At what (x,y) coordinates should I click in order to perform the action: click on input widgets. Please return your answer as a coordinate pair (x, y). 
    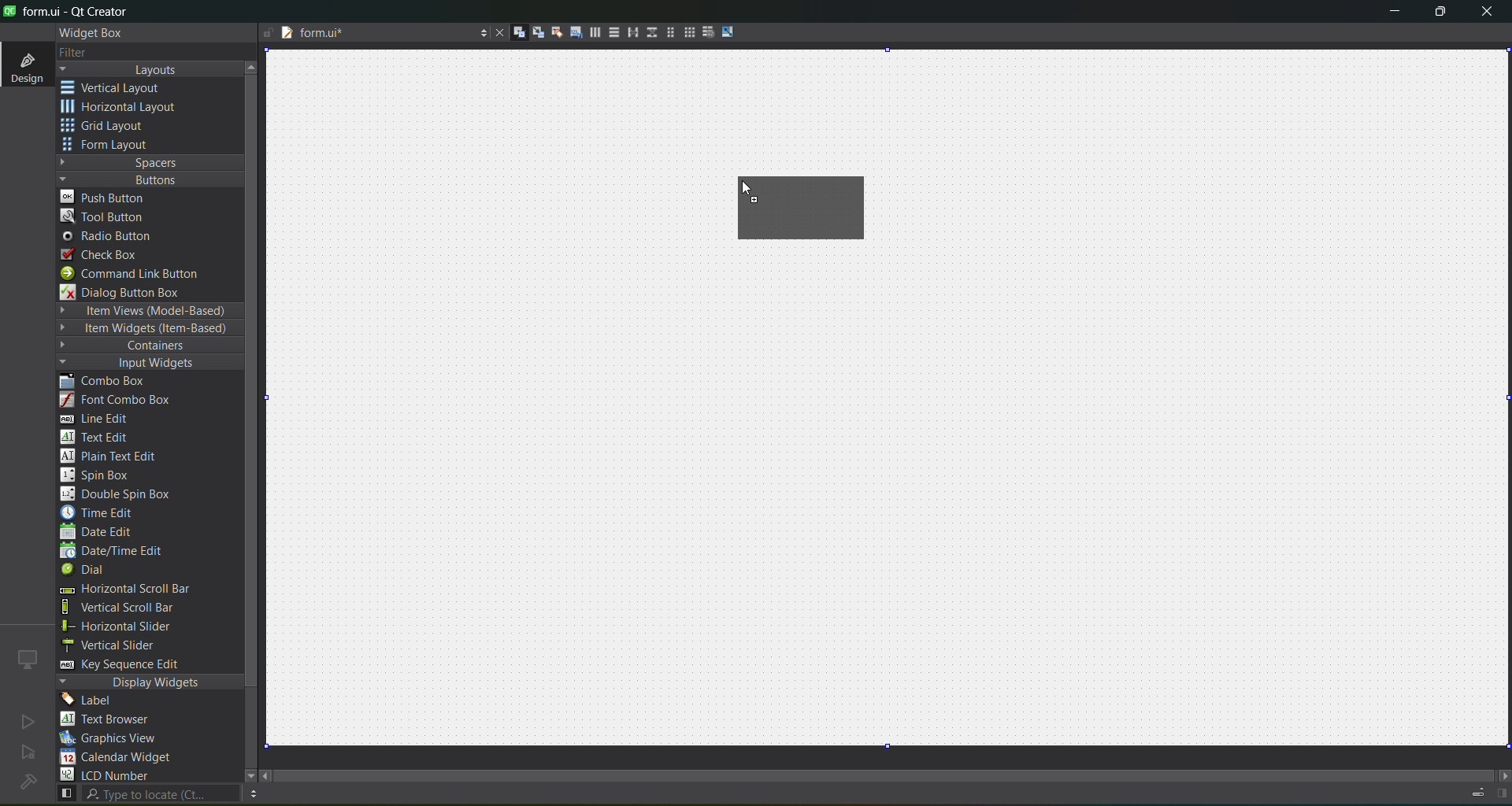
    Looking at the image, I should click on (142, 364).